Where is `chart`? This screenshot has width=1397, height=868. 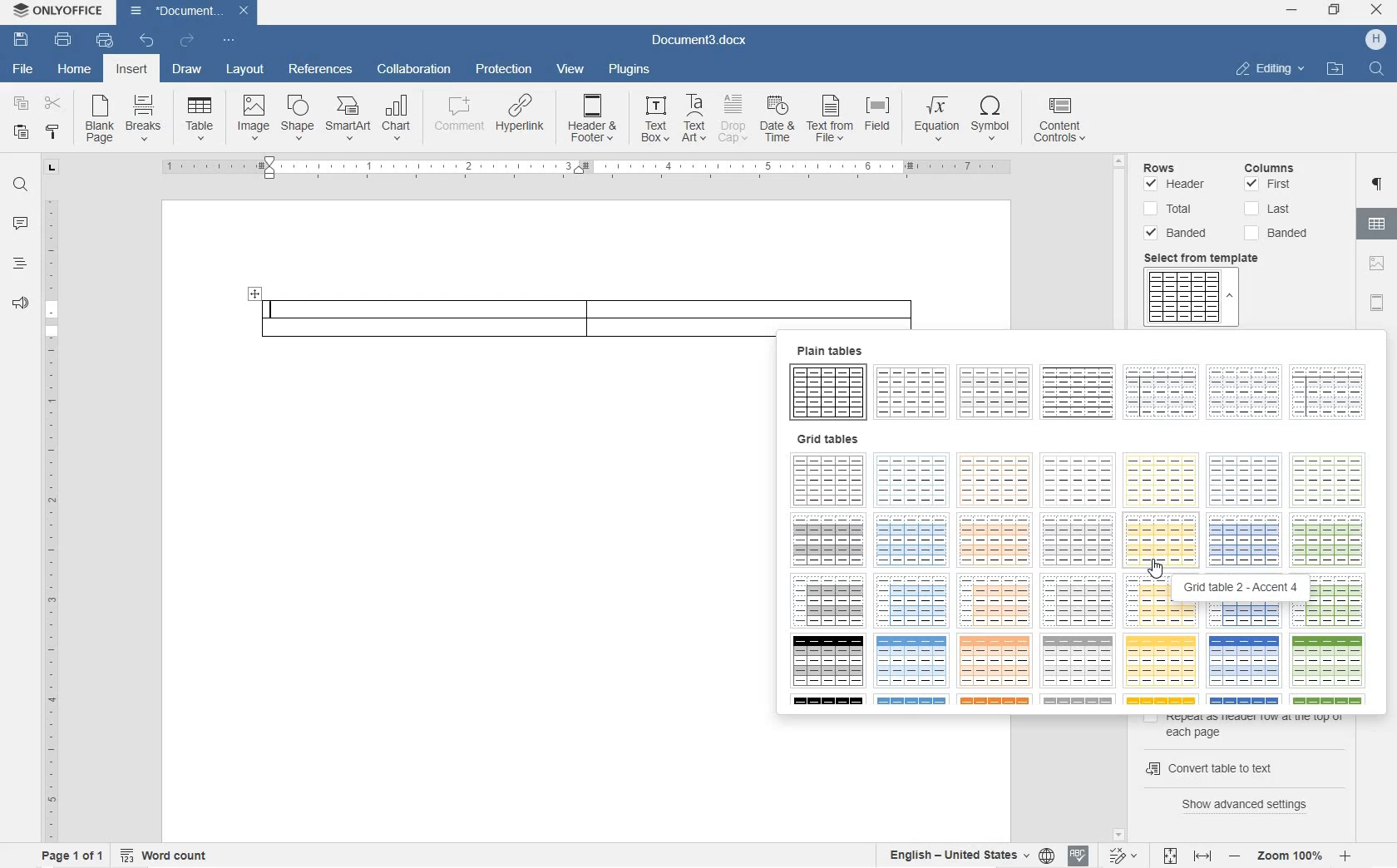
chart is located at coordinates (397, 118).